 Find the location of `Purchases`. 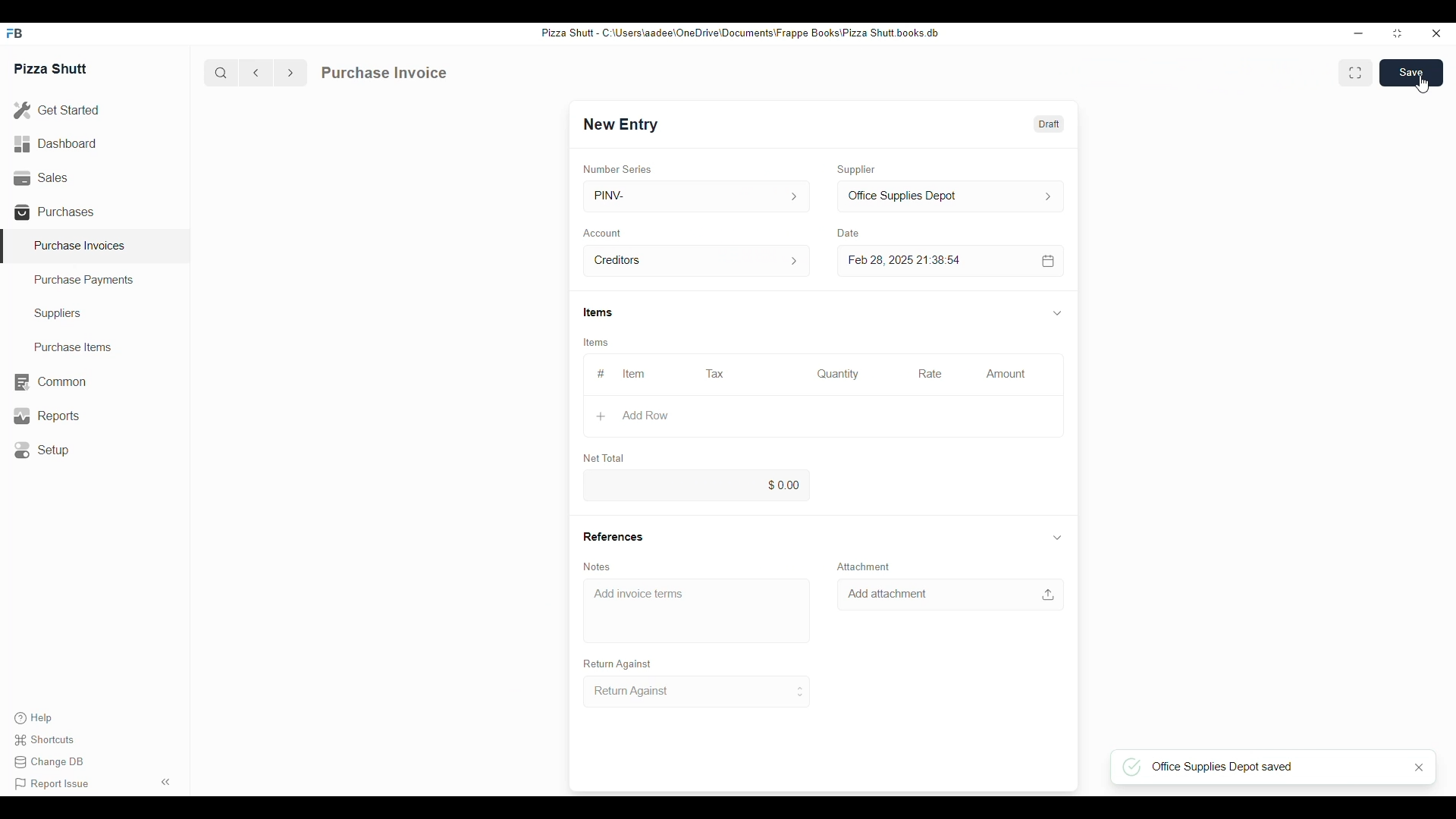

Purchases is located at coordinates (57, 212).